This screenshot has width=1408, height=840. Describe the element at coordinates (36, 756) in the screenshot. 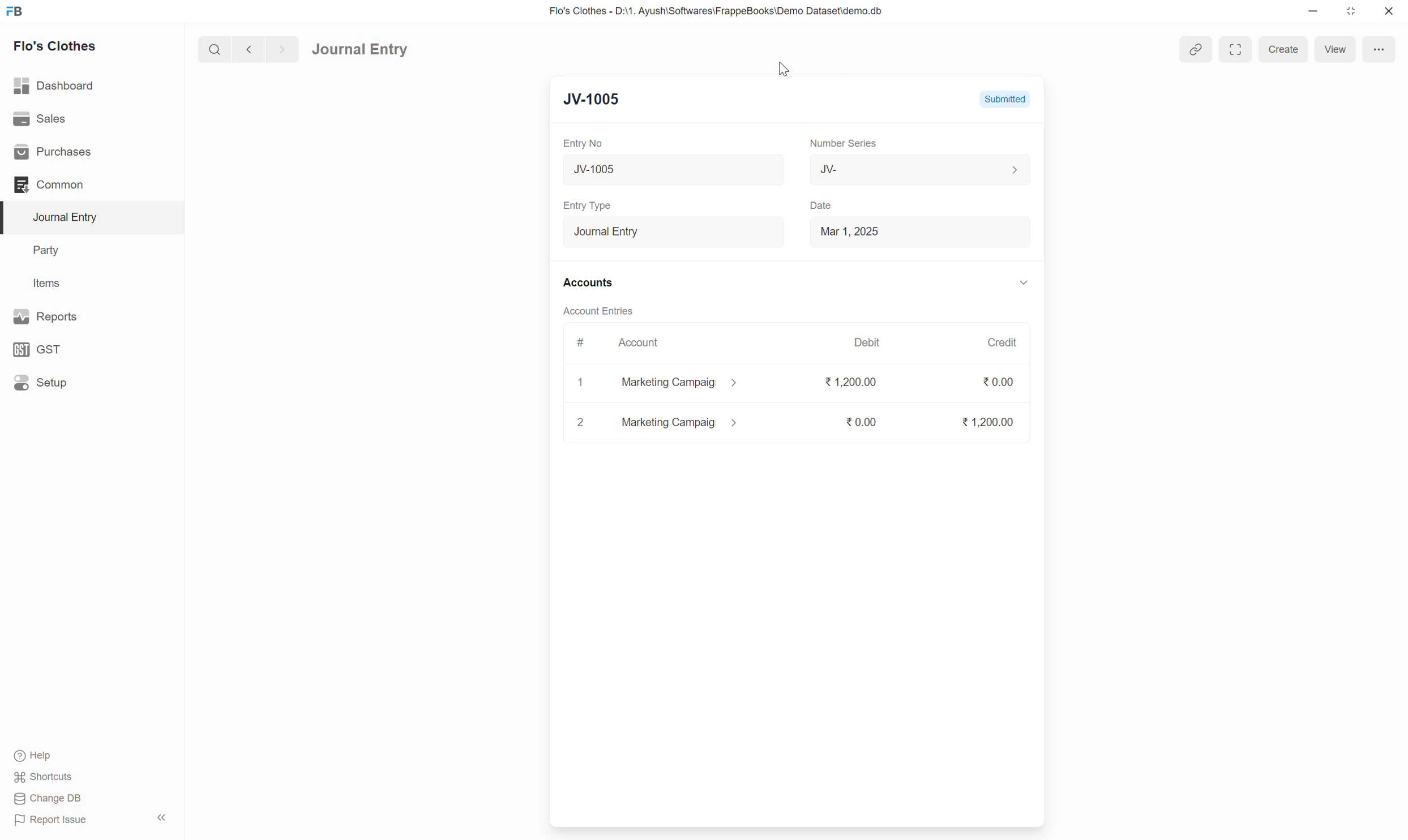

I see `Help` at that location.